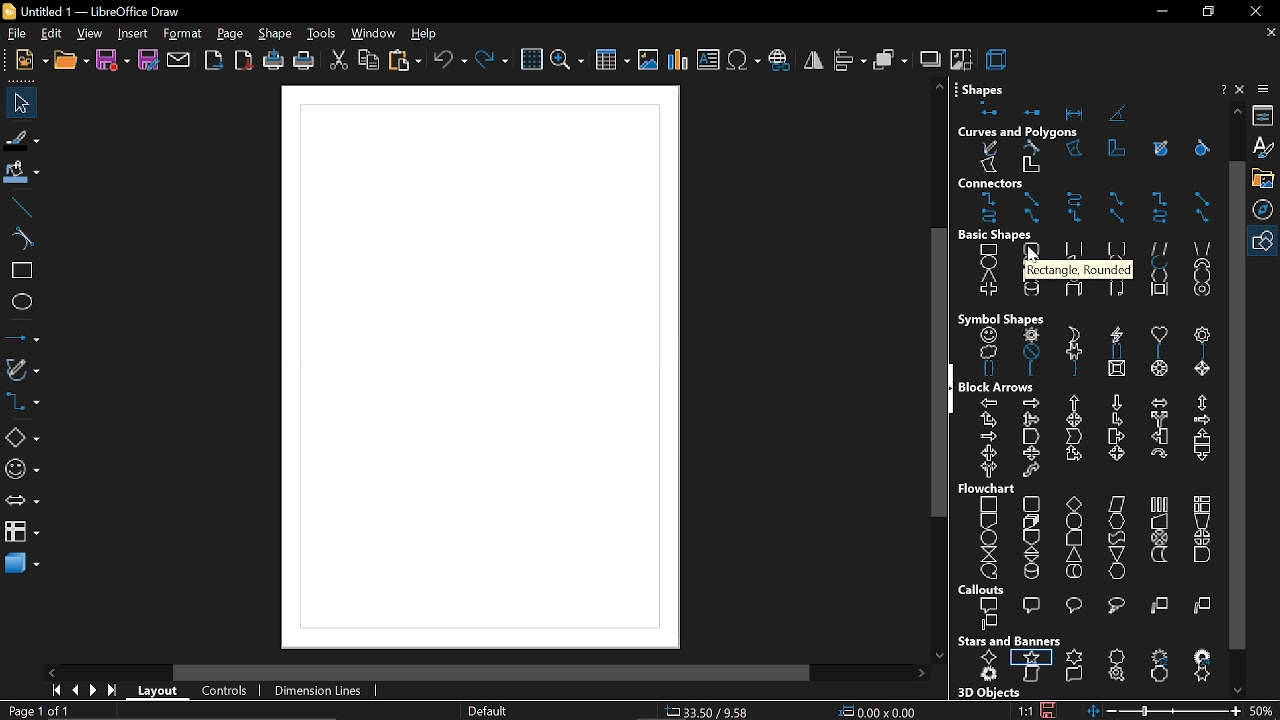 The width and height of the screenshot is (1280, 720). I want to click on curve, so click(22, 240).